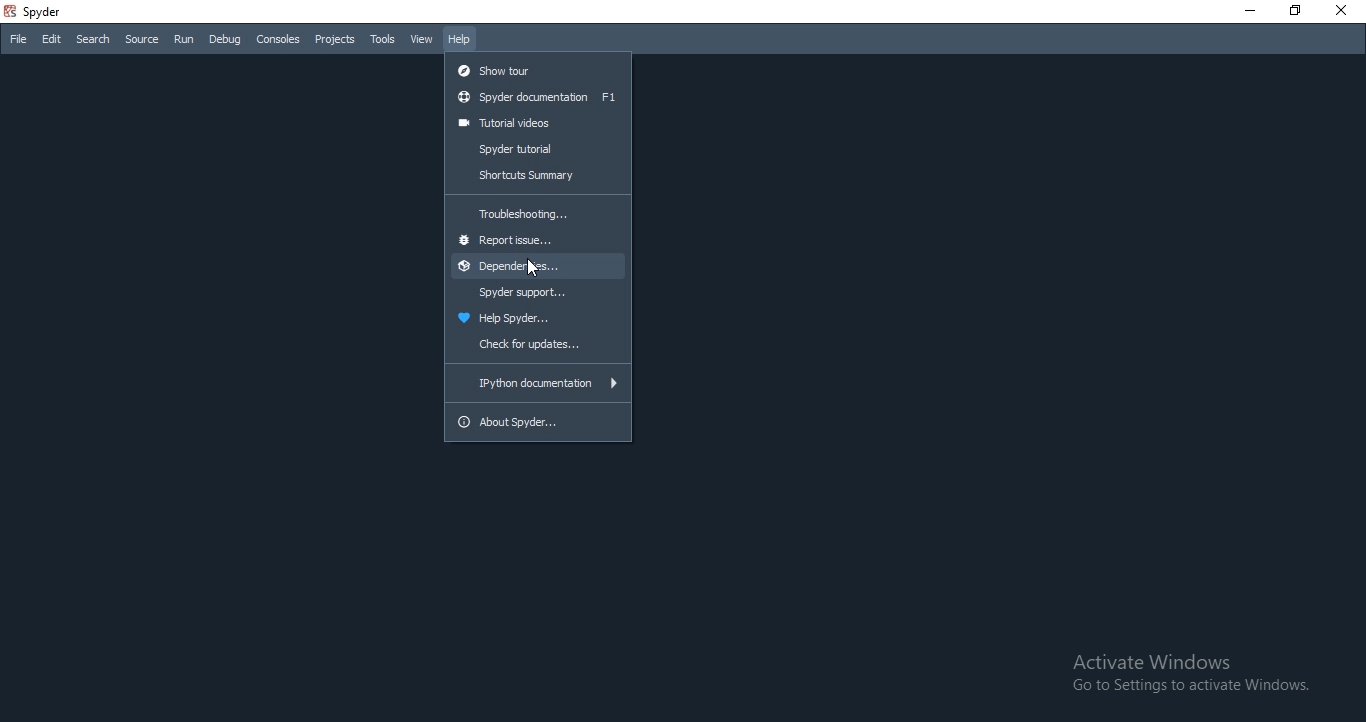 The width and height of the screenshot is (1366, 722). What do you see at coordinates (537, 318) in the screenshot?
I see `help spyder` at bounding box center [537, 318].